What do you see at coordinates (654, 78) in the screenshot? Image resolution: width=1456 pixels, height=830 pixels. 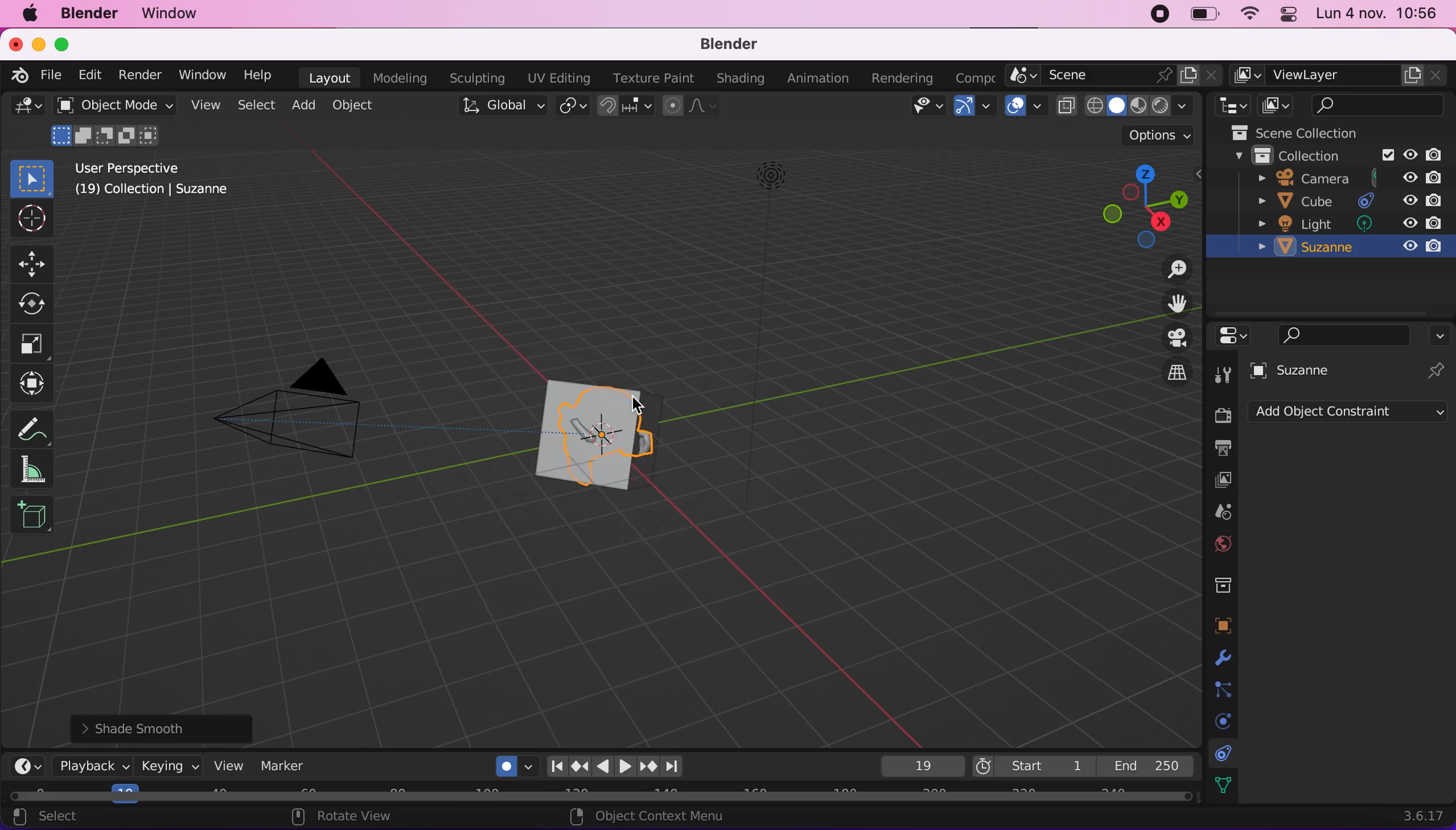 I see `texture paint` at bounding box center [654, 78].